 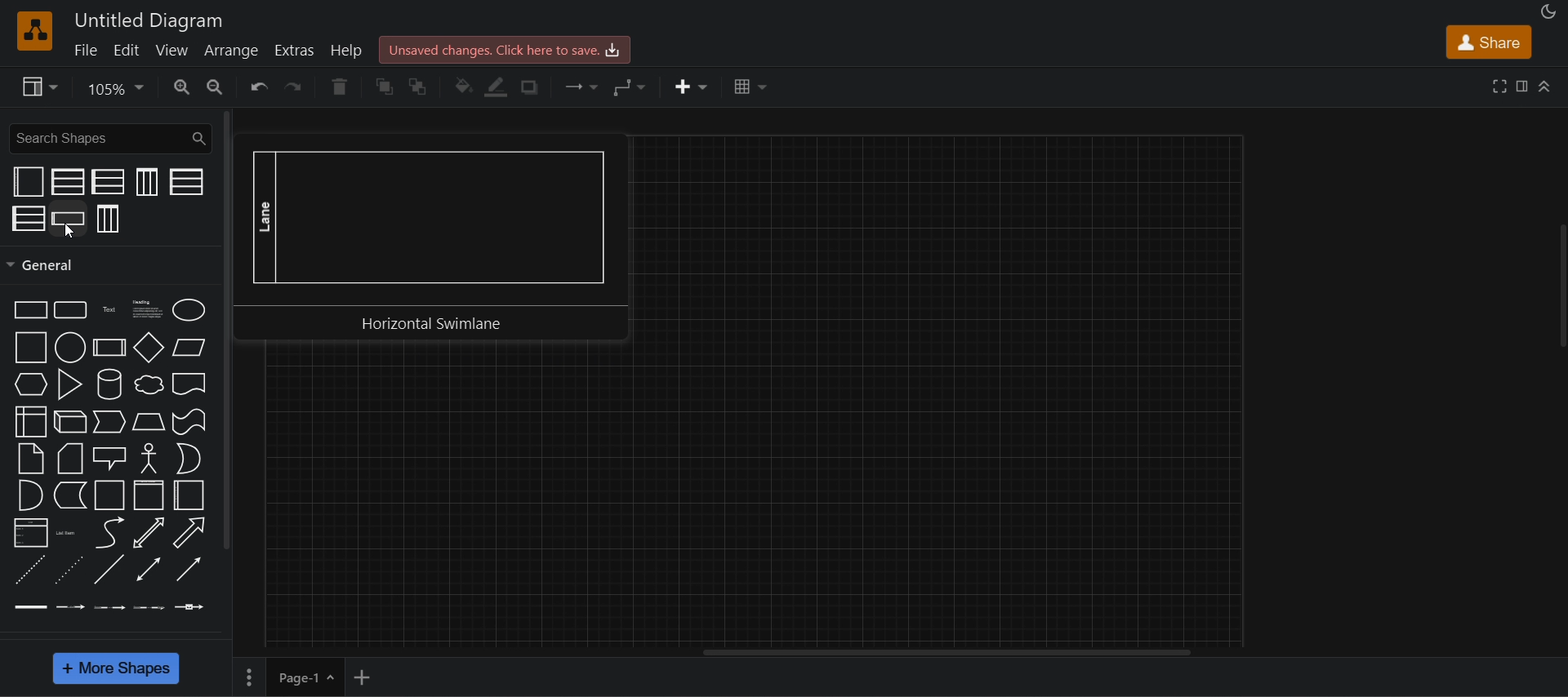 I want to click on appearance, so click(x=1546, y=11).